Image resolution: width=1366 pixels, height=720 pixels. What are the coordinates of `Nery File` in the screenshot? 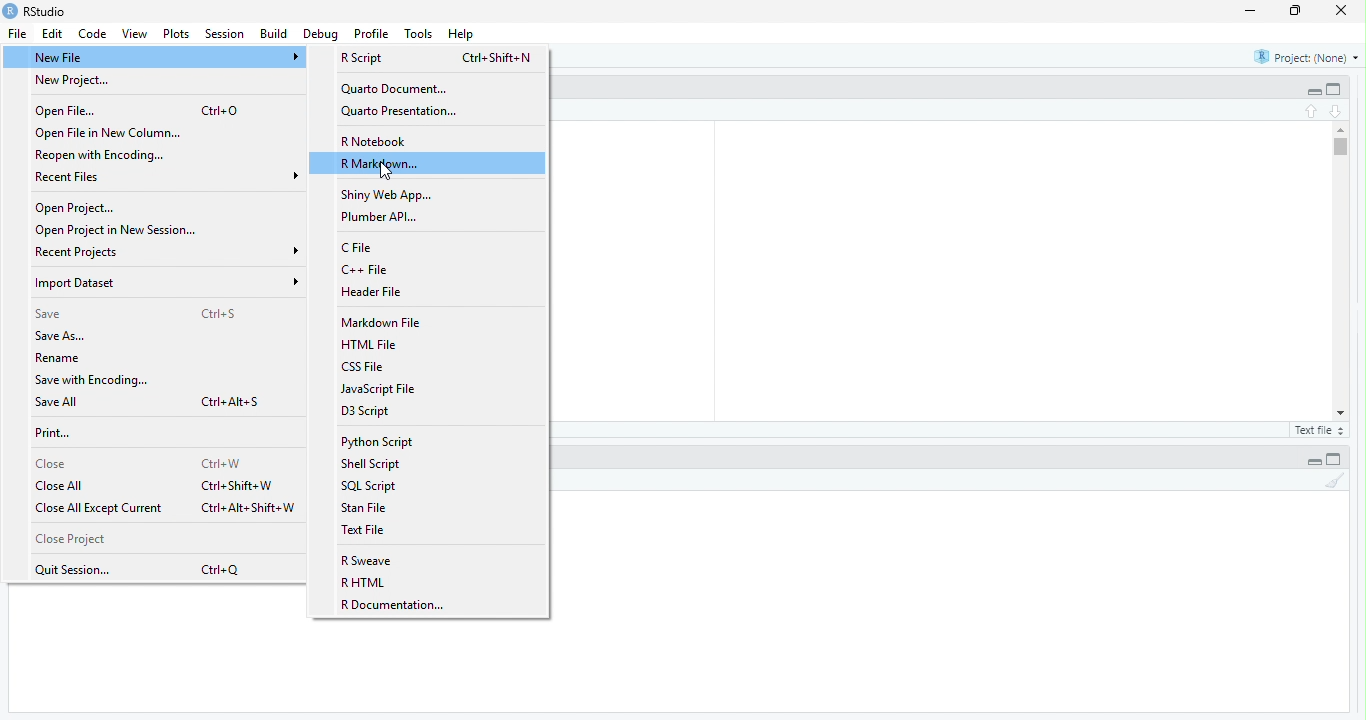 It's located at (166, 58).